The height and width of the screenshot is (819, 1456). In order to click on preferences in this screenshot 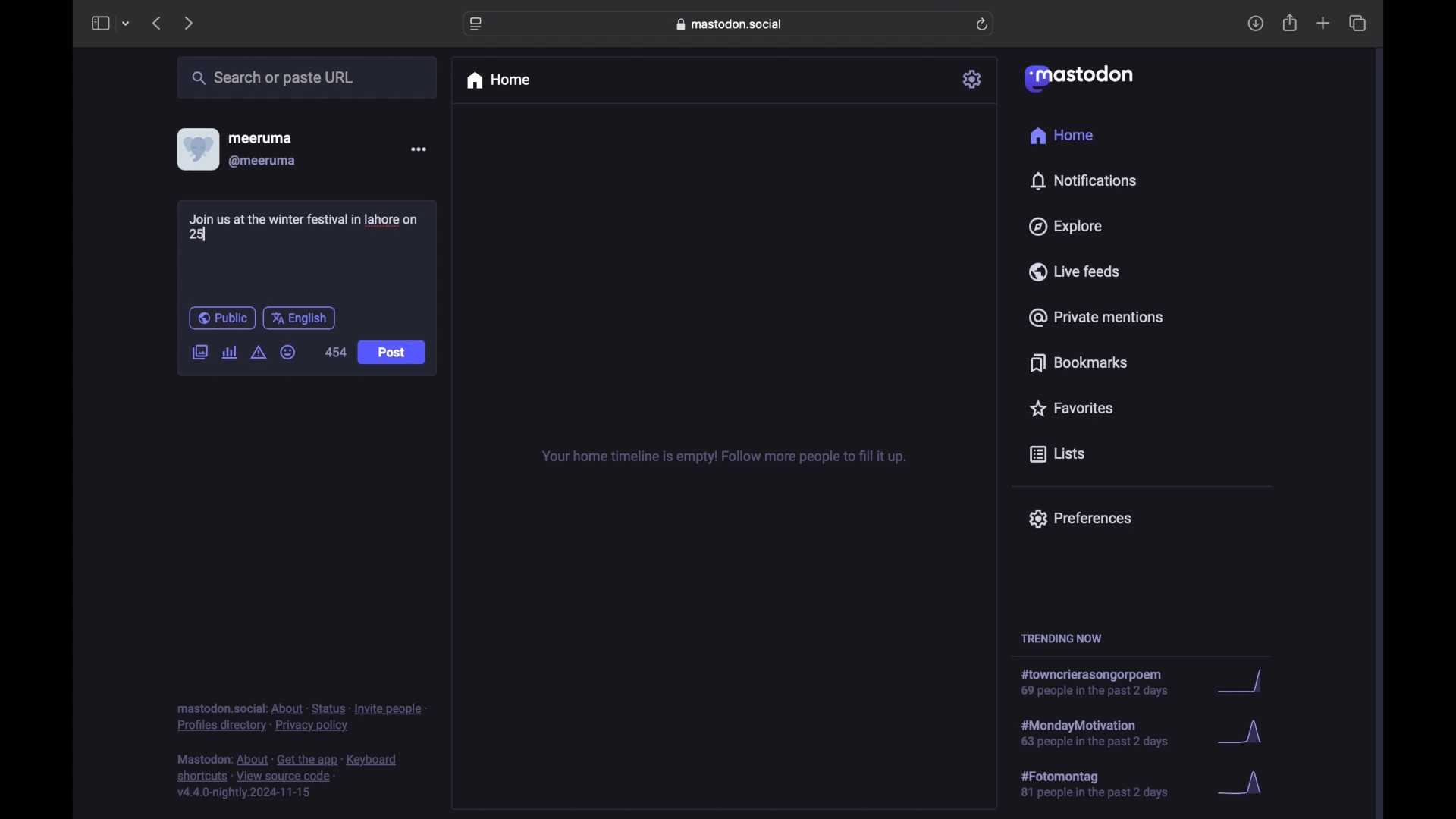, I will do `click(1079, 517)`.